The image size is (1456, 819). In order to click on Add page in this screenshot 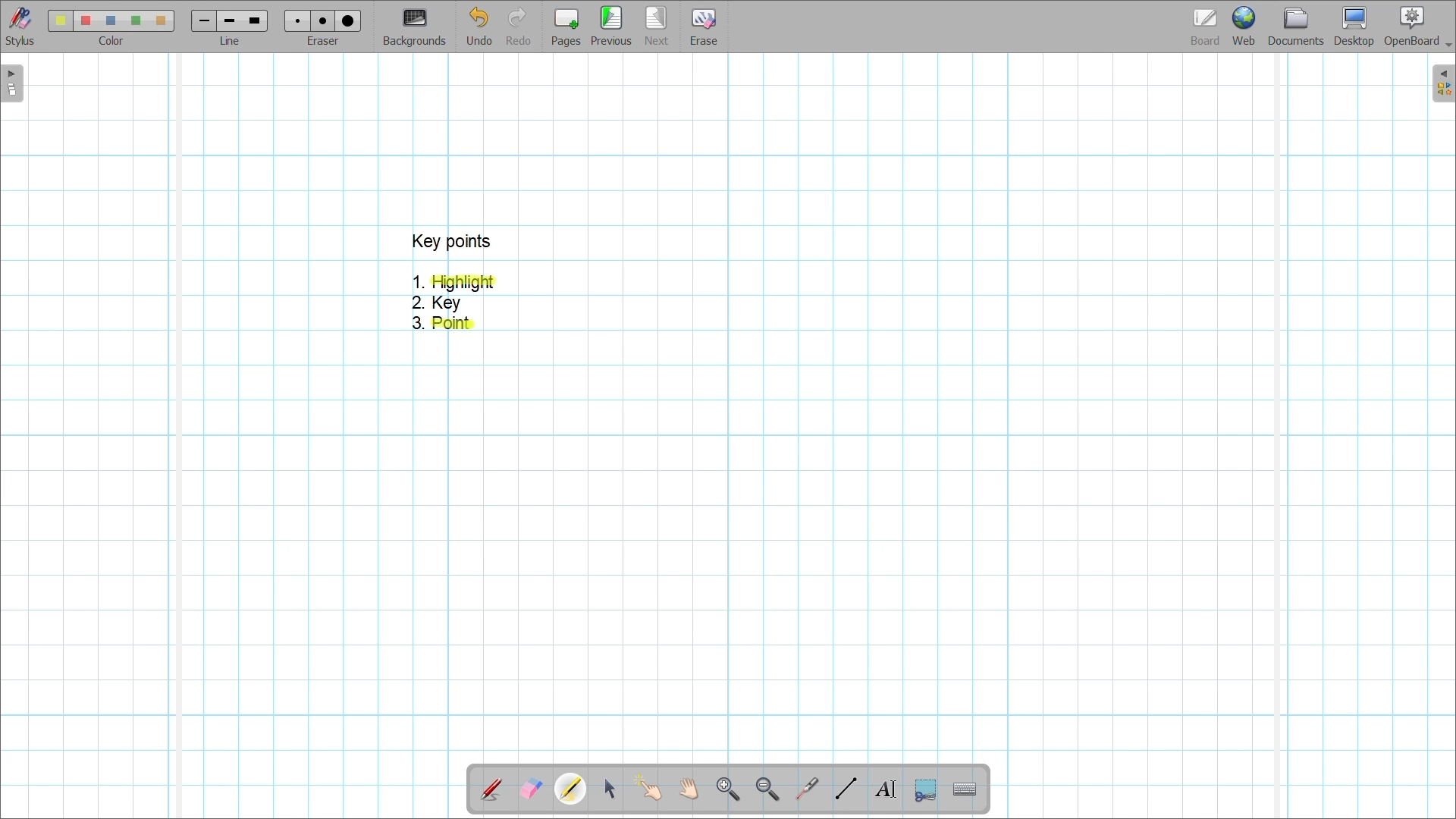, I will do `click(566, 27)`.